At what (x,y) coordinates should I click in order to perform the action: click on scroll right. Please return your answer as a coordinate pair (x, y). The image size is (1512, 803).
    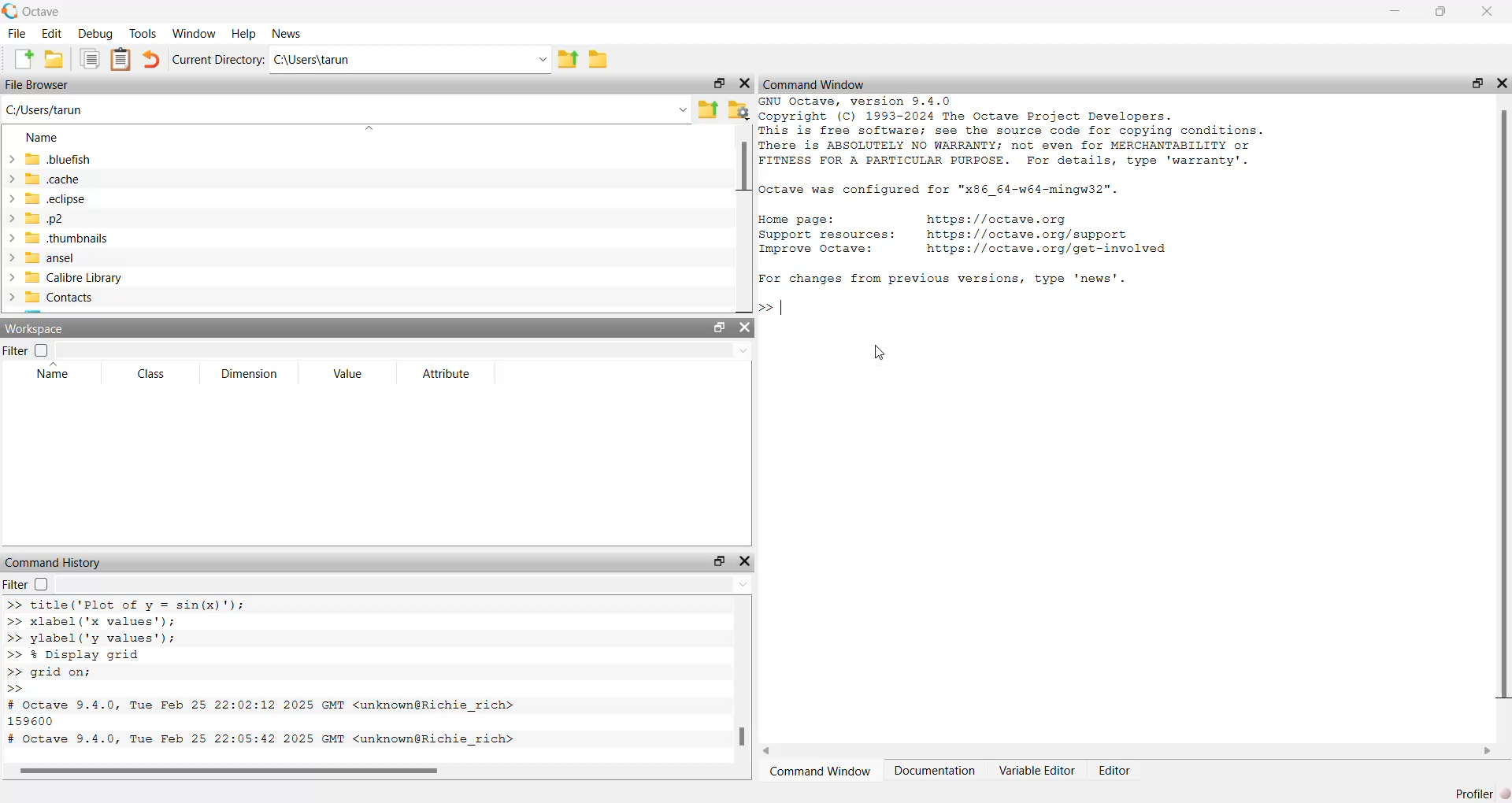
    Looking at the image, I should click on (1487, 751).